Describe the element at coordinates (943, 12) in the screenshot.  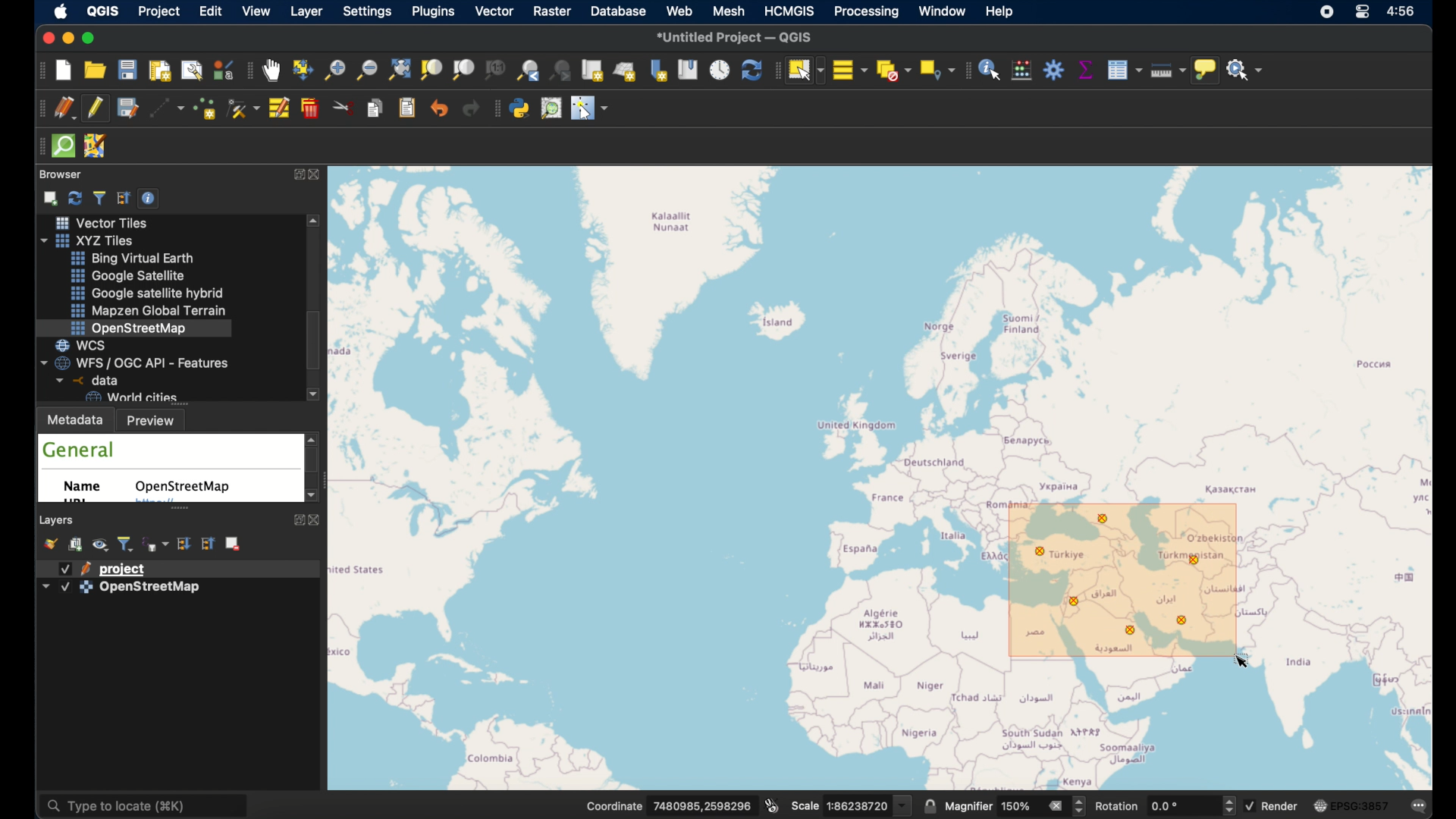
I see `window` at that location.